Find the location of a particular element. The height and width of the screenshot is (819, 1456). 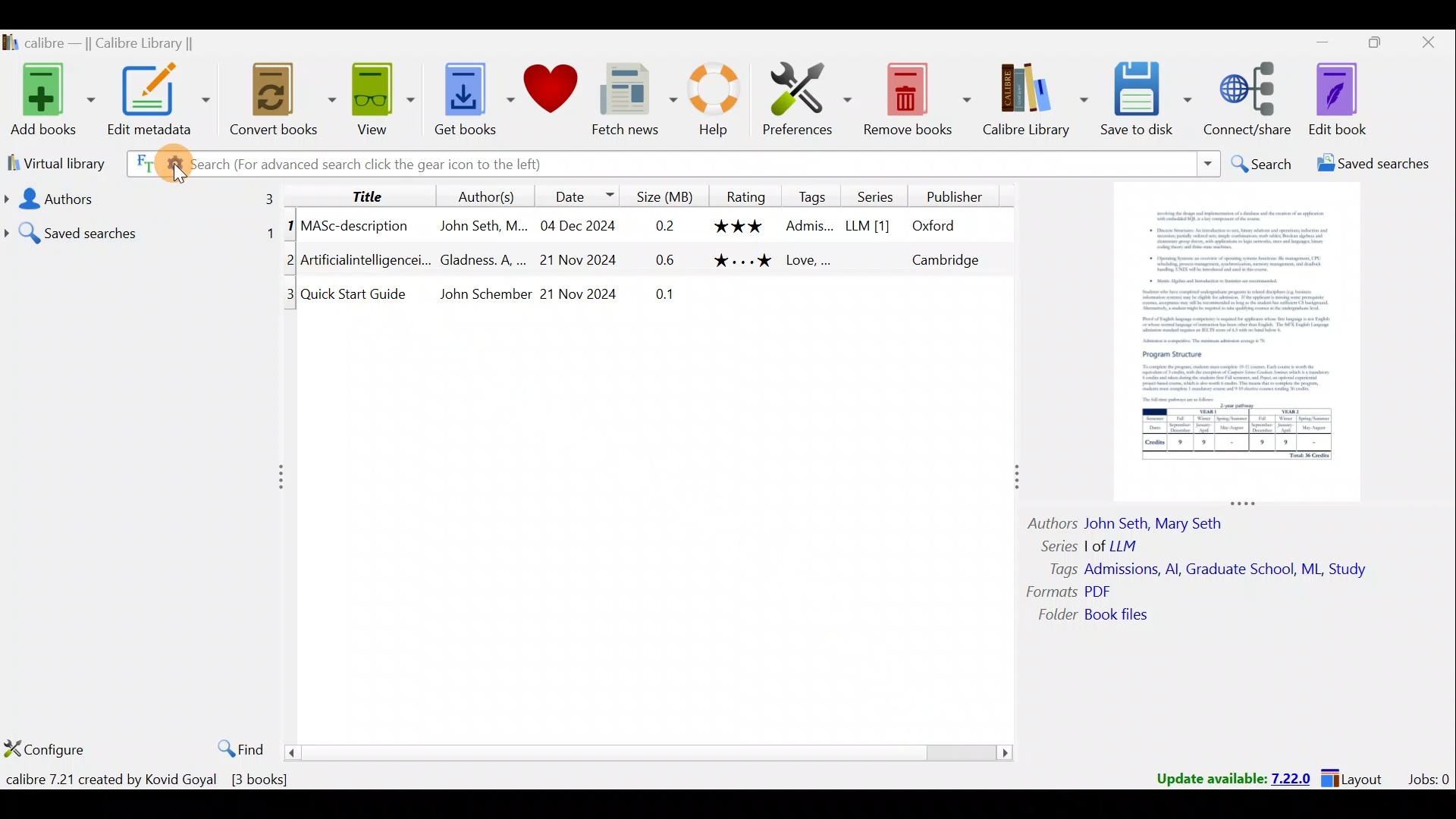

Tags Admissions, Al, Graduate School, ML, Study is located at coordinates (1210, 570).